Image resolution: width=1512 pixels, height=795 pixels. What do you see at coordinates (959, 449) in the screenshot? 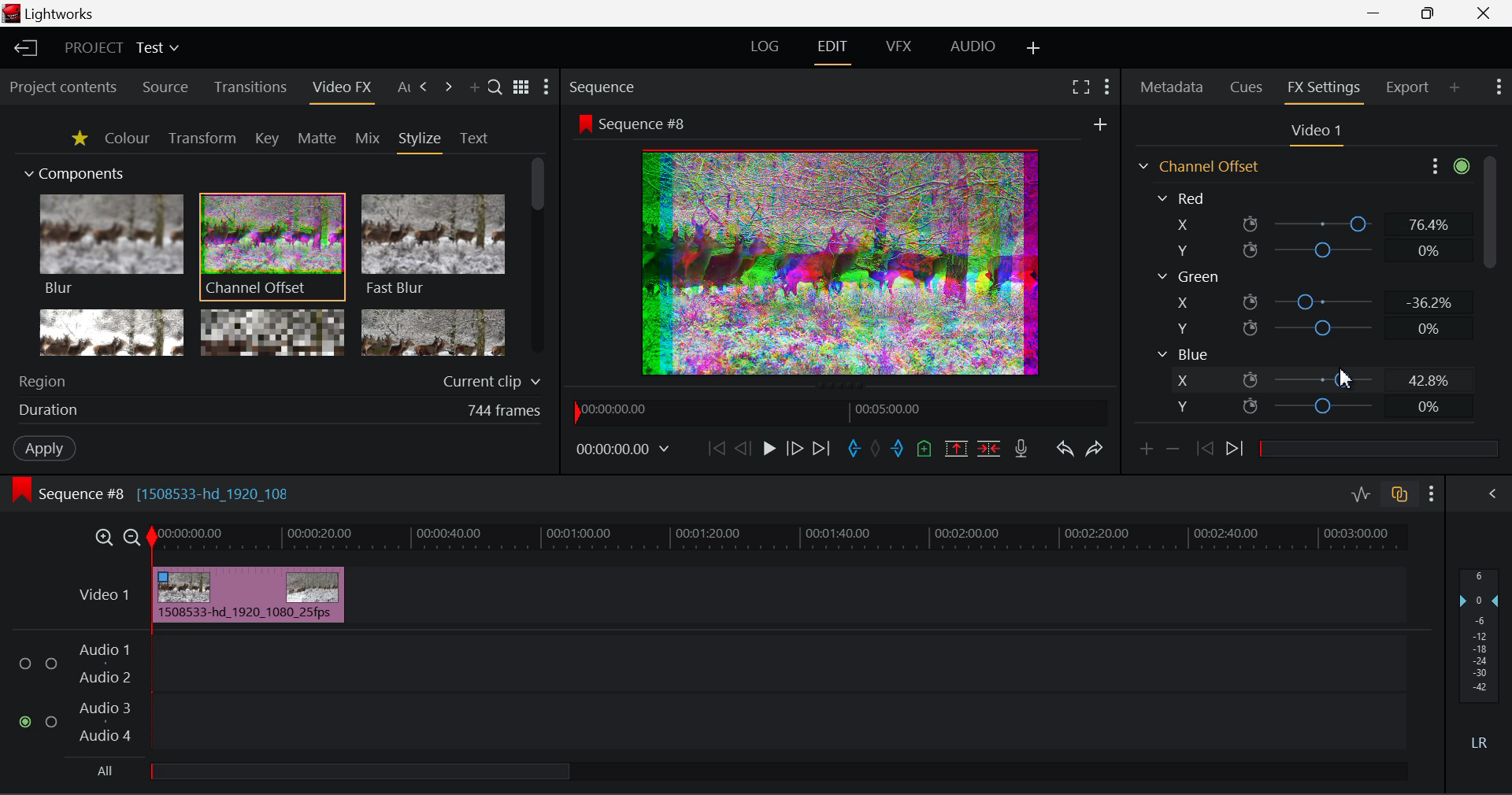
I see `Remove marked Section` at bounding box center [959, 449].